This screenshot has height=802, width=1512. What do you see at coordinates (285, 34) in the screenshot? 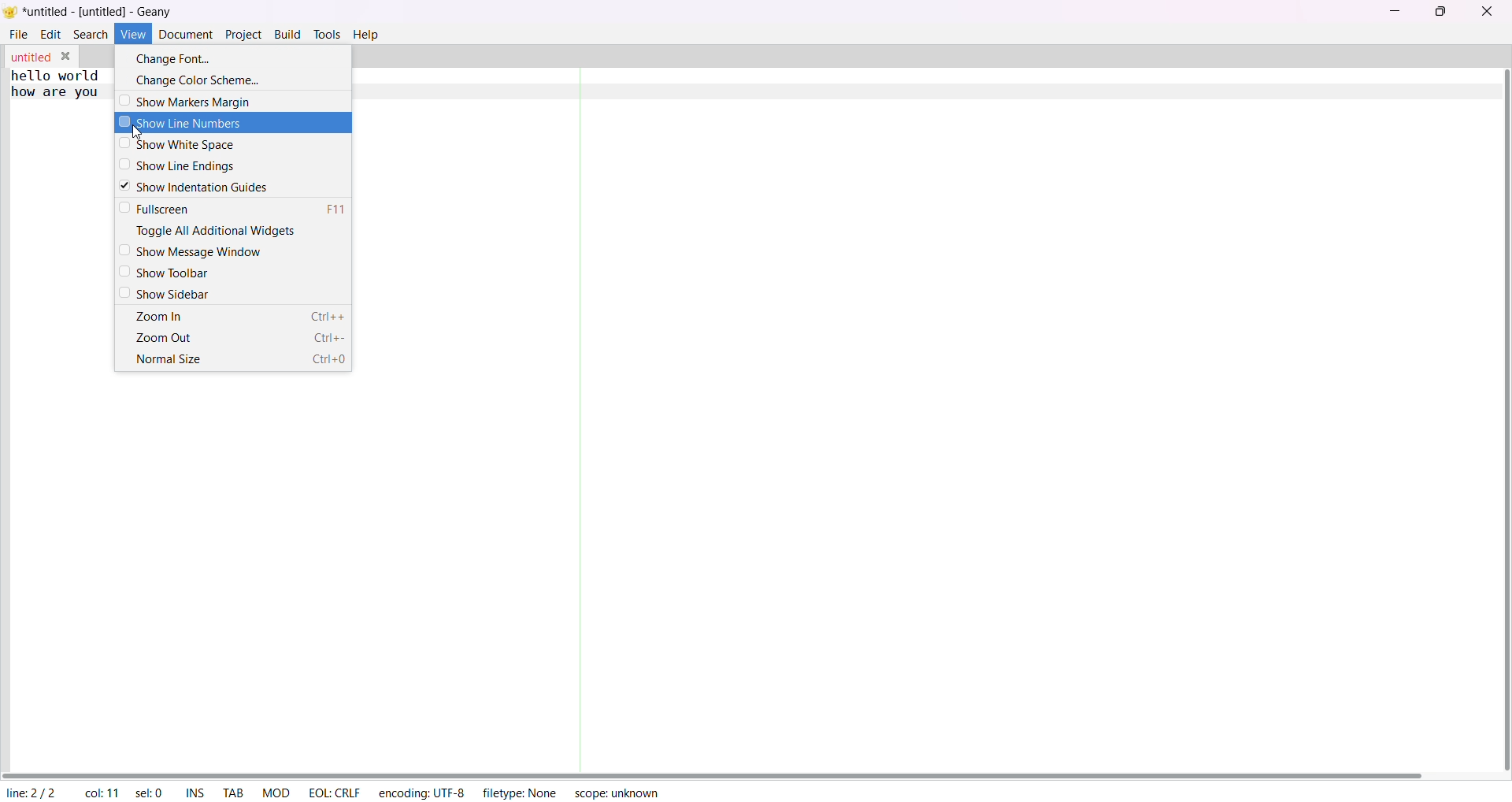
I see `build` at bounding box center [285, 34].